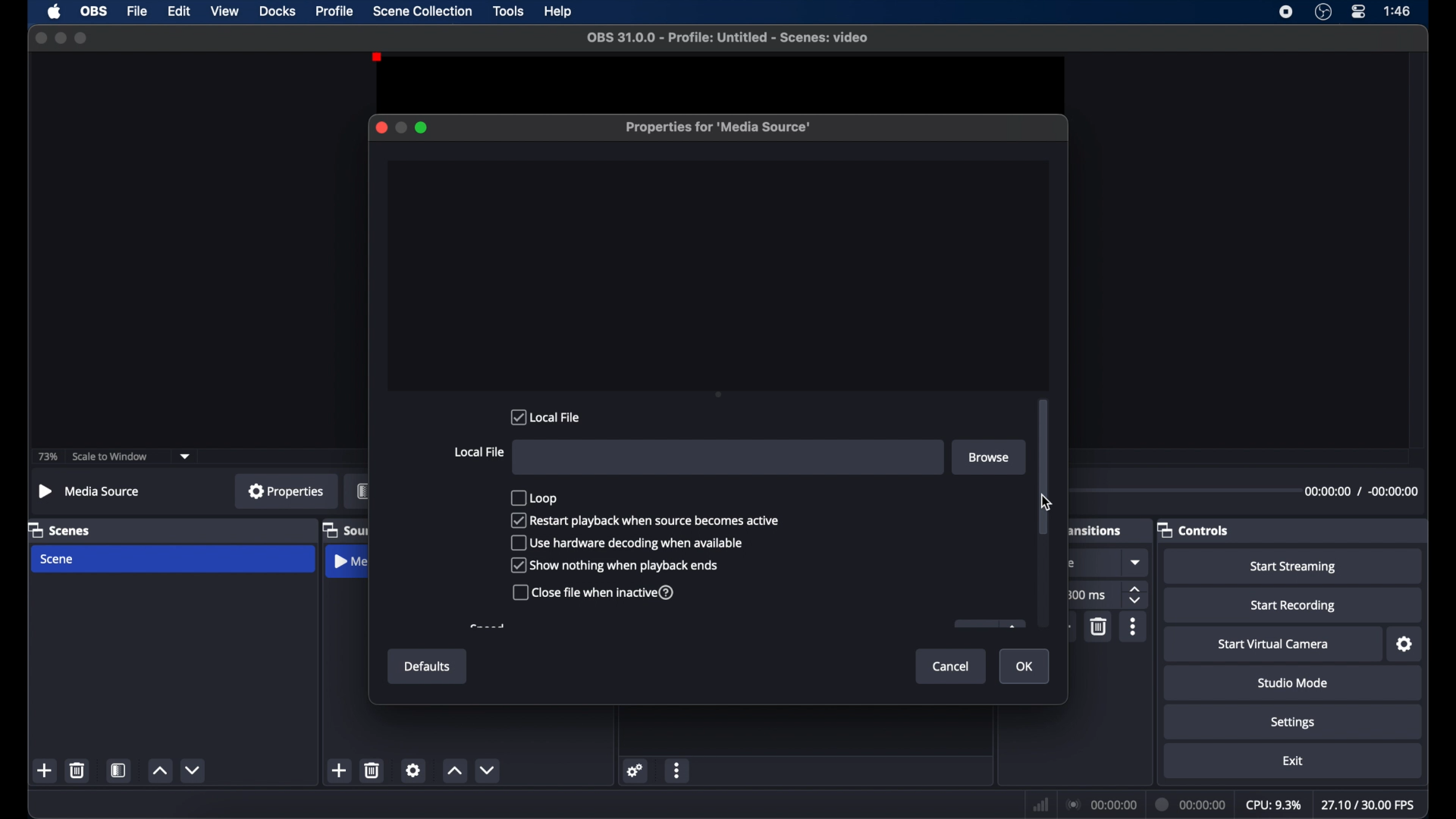 Image resolution: width=1456 pixels, height=819 pixels. What do you see at coordinates (1137, 562) in the screenshot?
I see `dropdown` at bounding box center [1137, 562].